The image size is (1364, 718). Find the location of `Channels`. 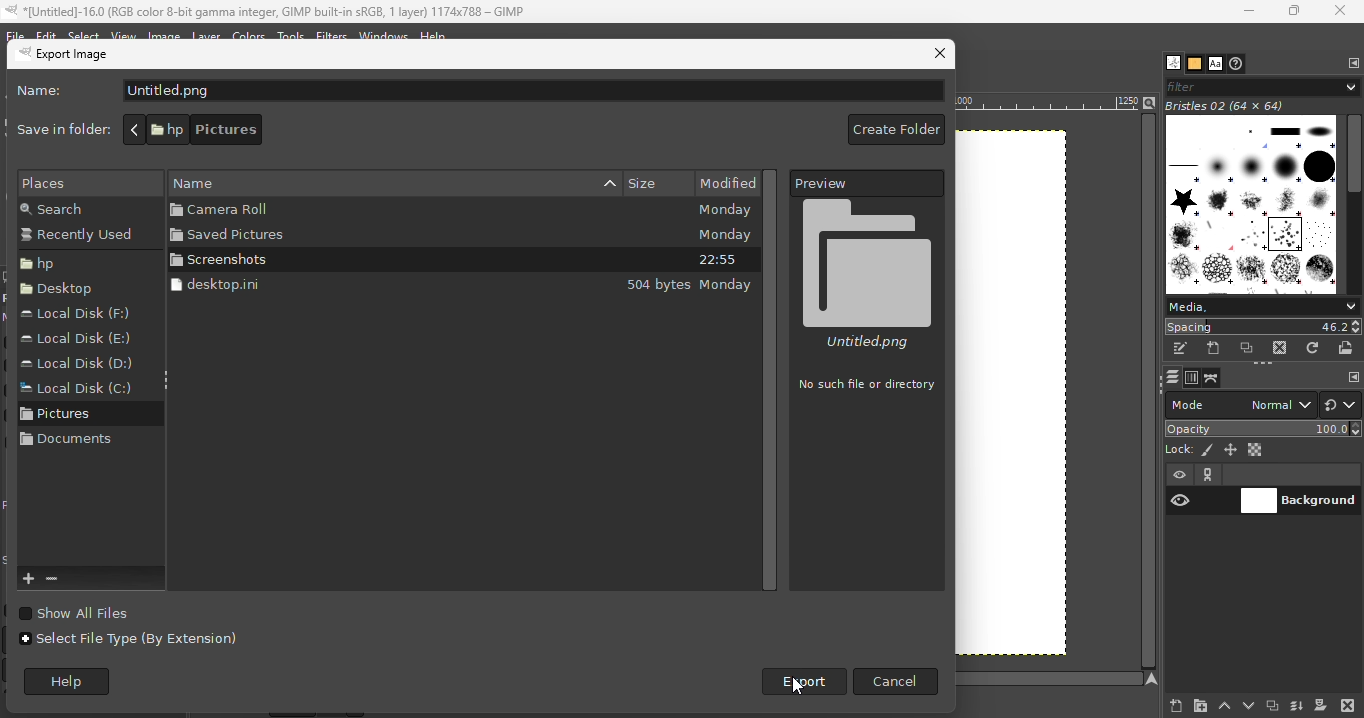

Channels is located at coordinates (1192, 378).